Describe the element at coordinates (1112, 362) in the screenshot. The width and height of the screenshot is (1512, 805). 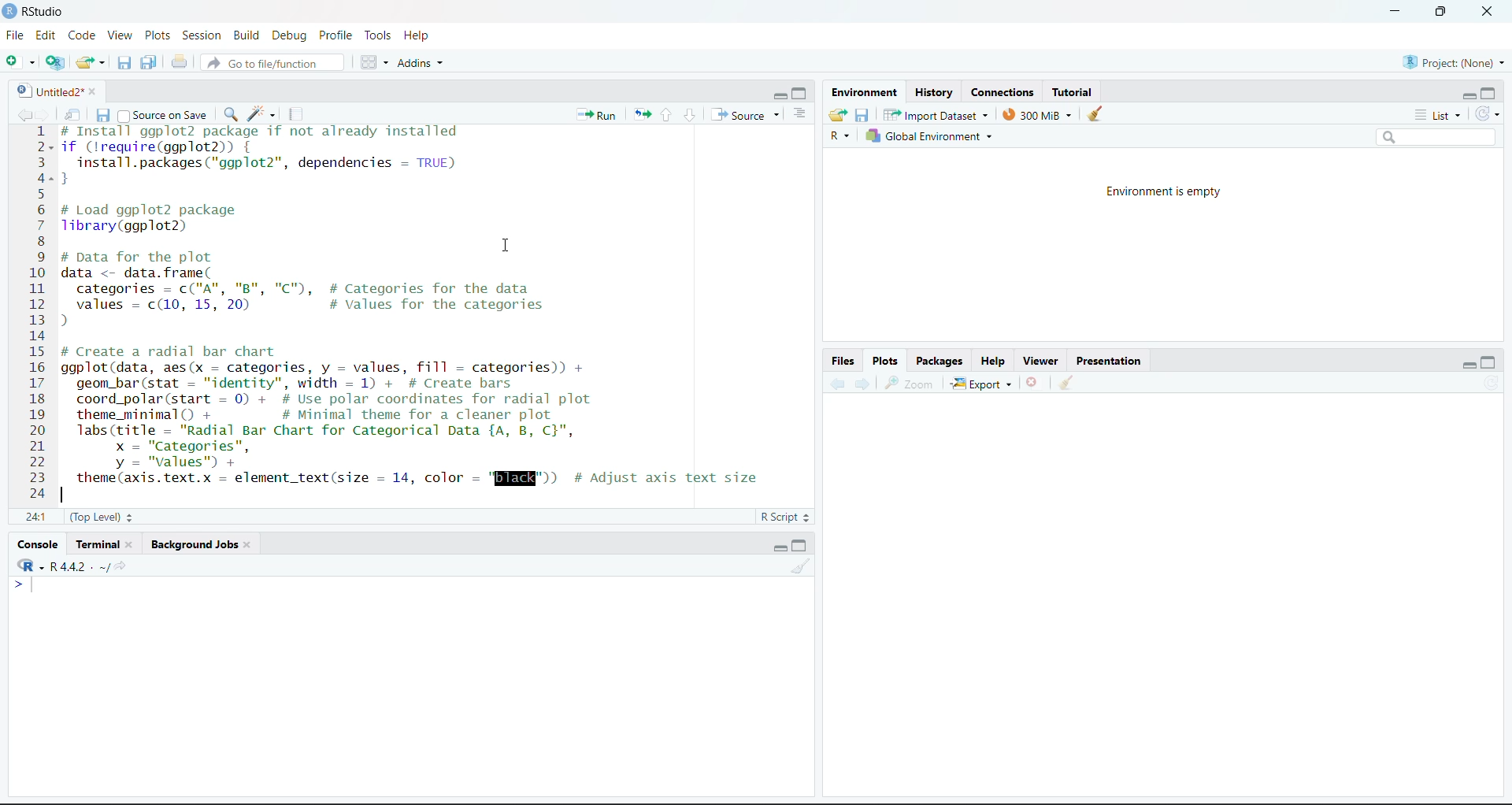
I see `Presentation` at that location.